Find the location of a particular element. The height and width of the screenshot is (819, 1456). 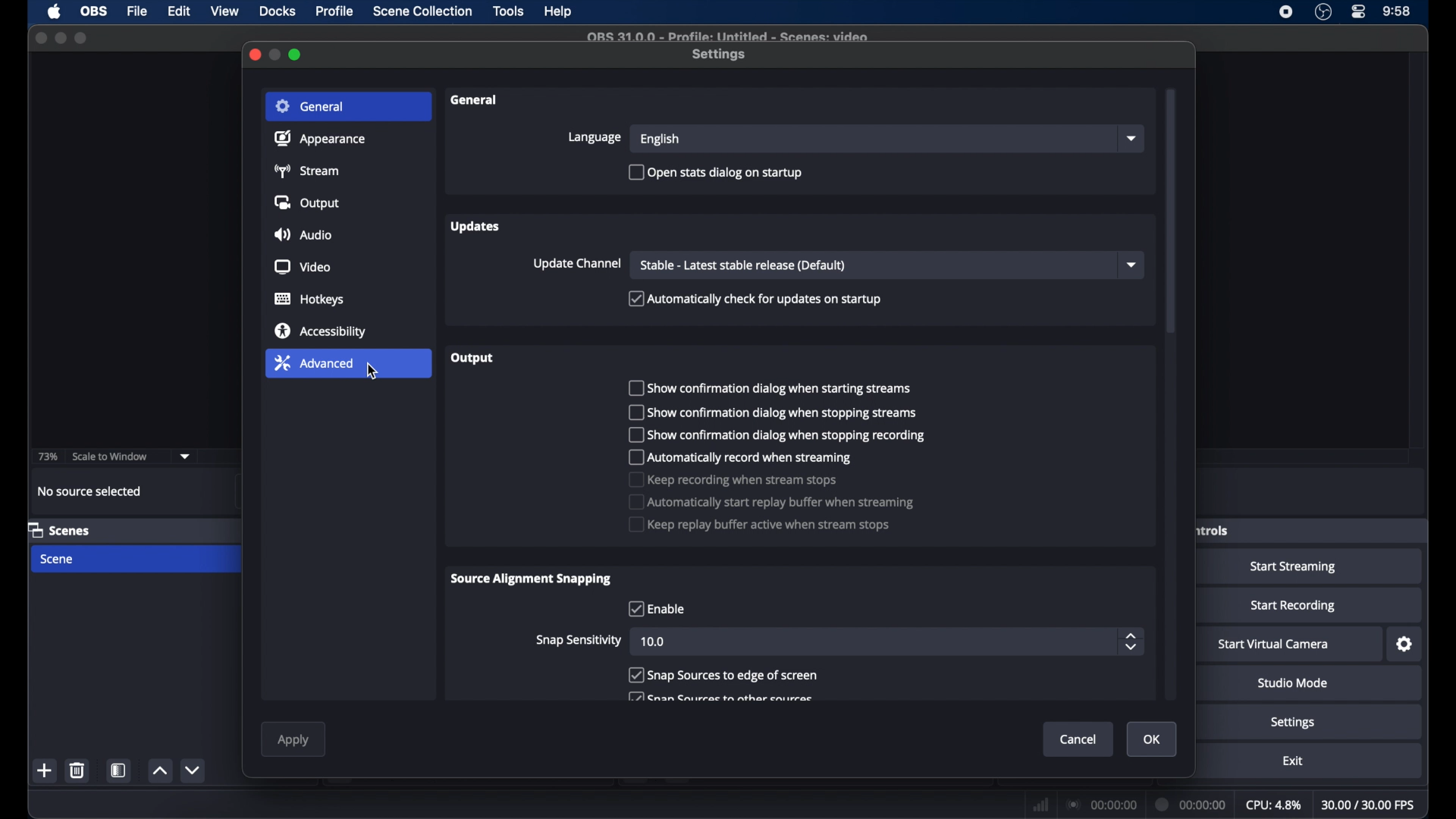

checkbox is located at coordinates (741, 457).